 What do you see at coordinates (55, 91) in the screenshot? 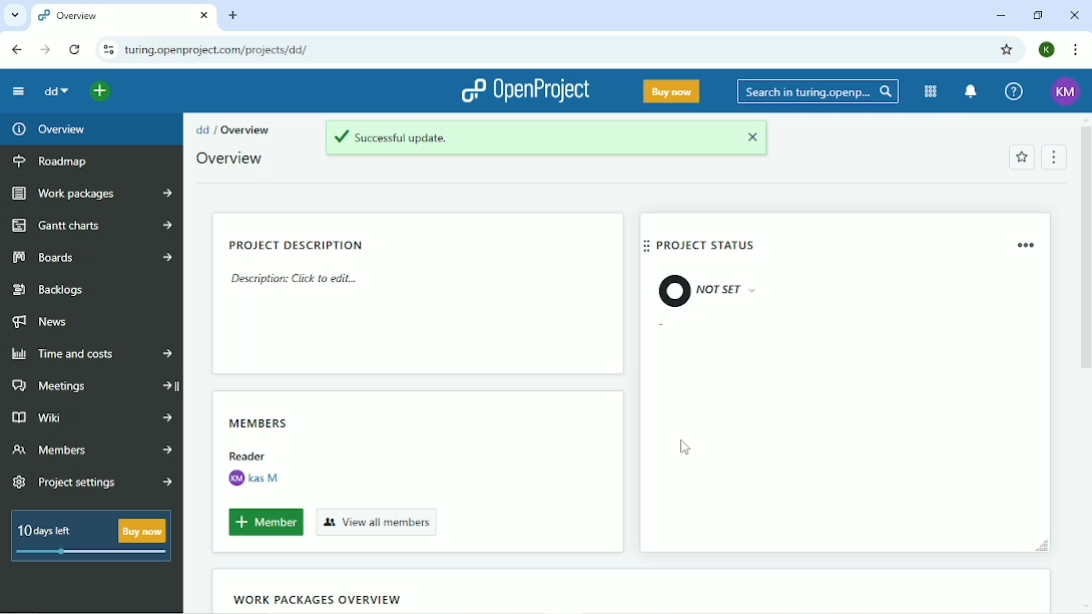
I see `dd` at bounding box center [55, 91].